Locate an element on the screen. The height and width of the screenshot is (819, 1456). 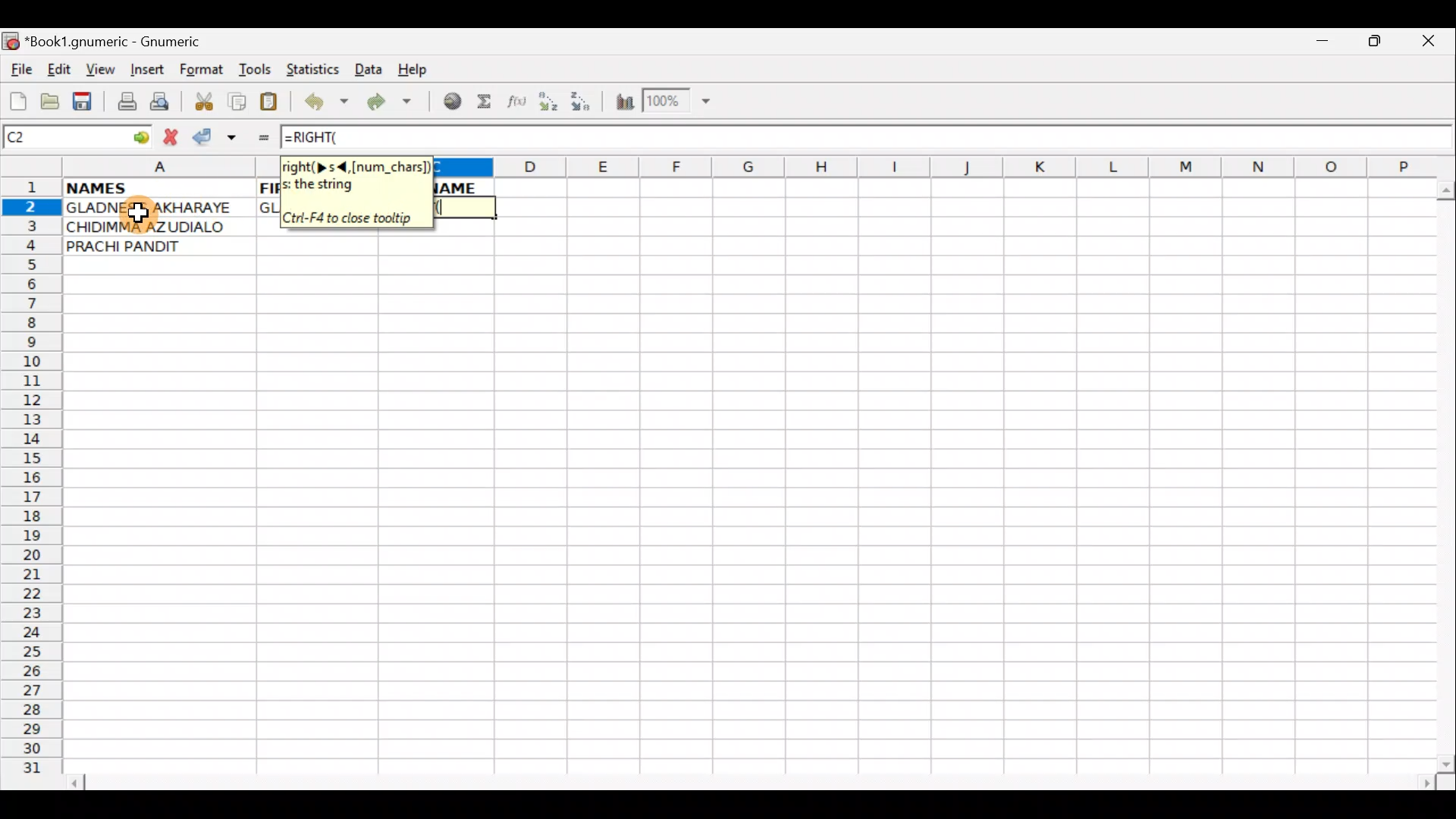
right(> s <4, [num_chars])the string. Crtl+F4 to close tooltip is located at coordinates (355, 190).